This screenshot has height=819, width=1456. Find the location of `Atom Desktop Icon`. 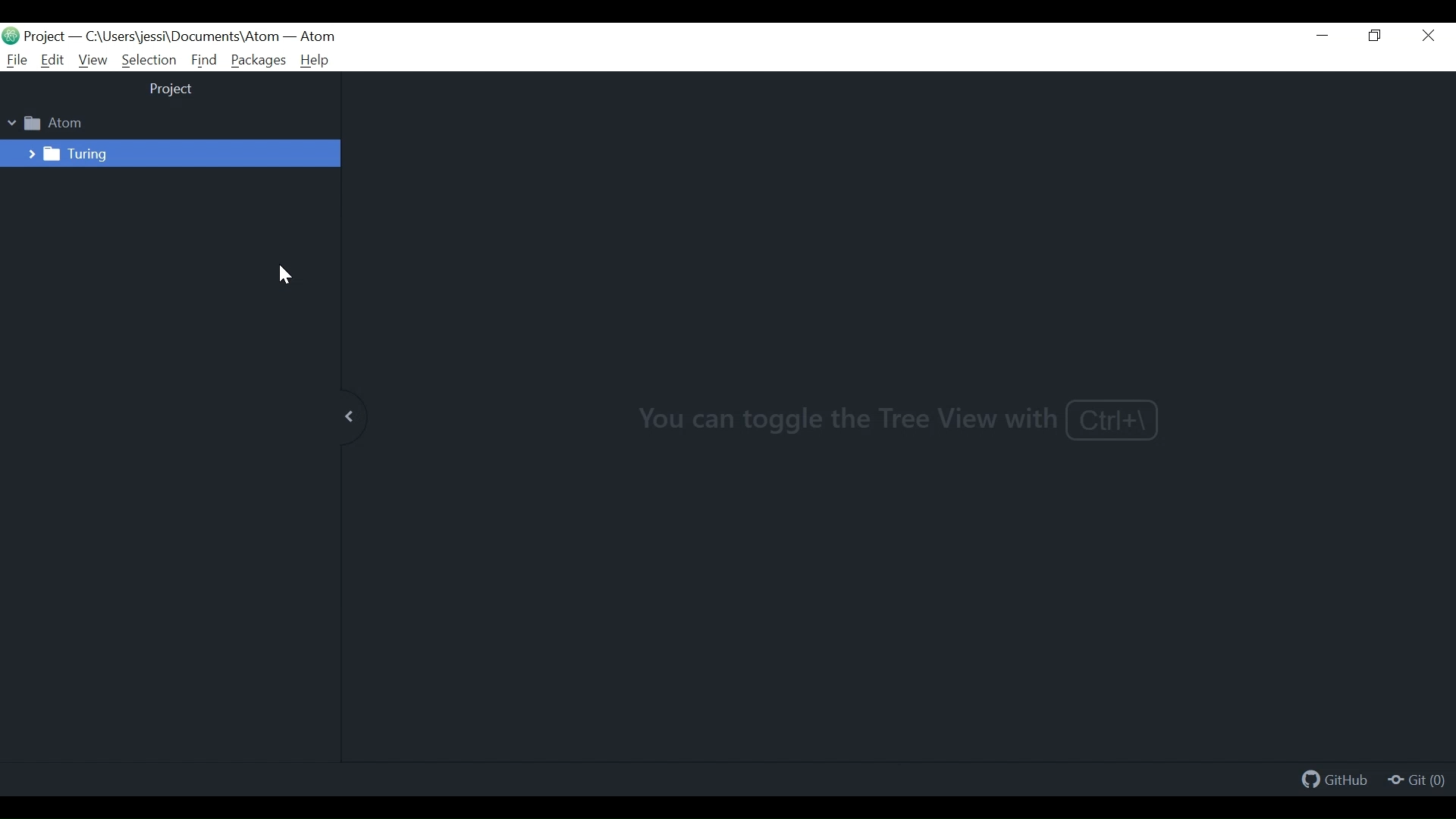

Atom Desktop Icon is located at coordinates (11, 35).